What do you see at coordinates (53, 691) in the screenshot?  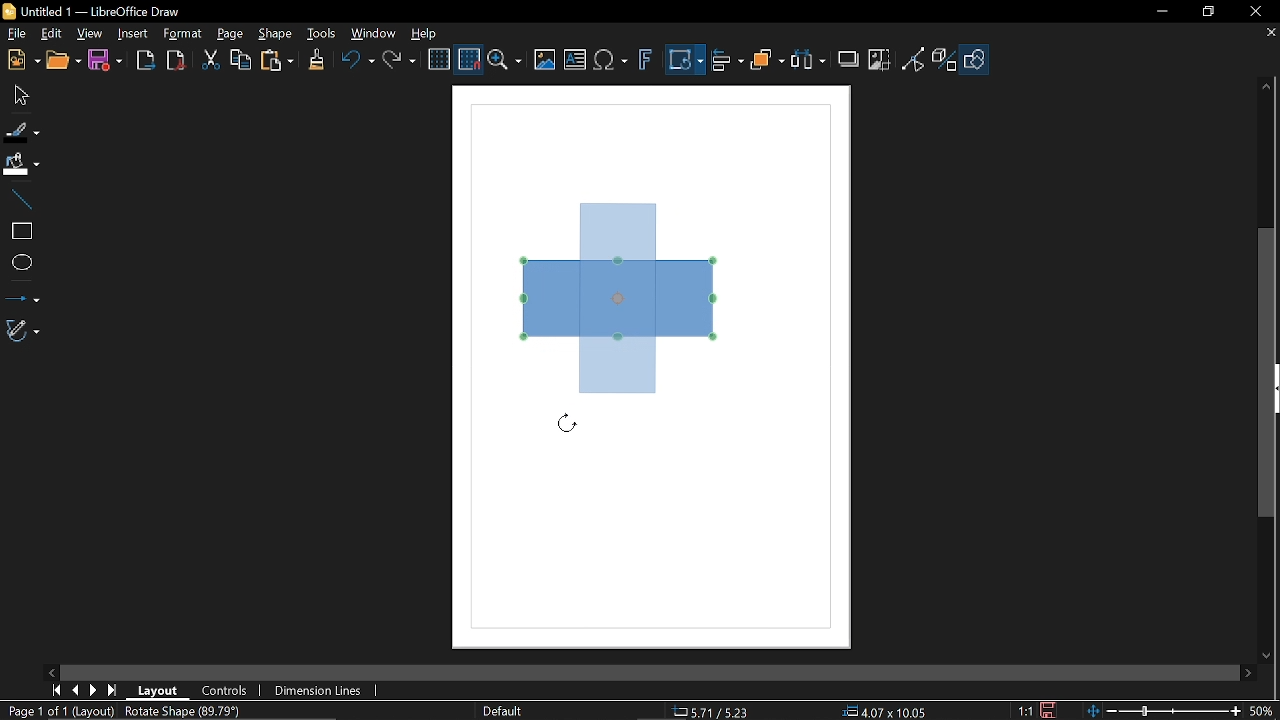 I see `First page` at bounding box center [53, 691].